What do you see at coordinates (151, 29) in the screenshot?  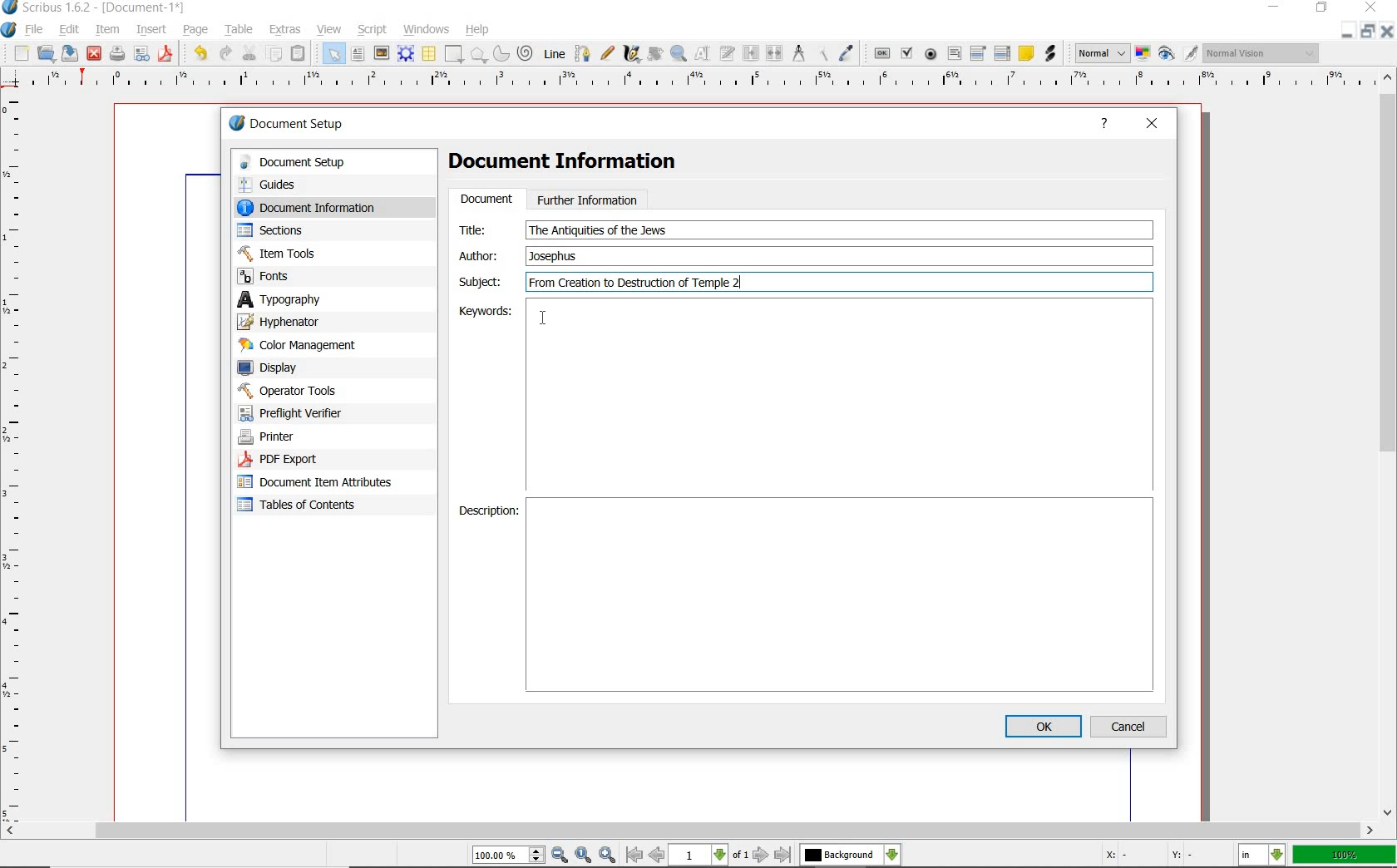 I see `insert` at bounding box center [151, 29].